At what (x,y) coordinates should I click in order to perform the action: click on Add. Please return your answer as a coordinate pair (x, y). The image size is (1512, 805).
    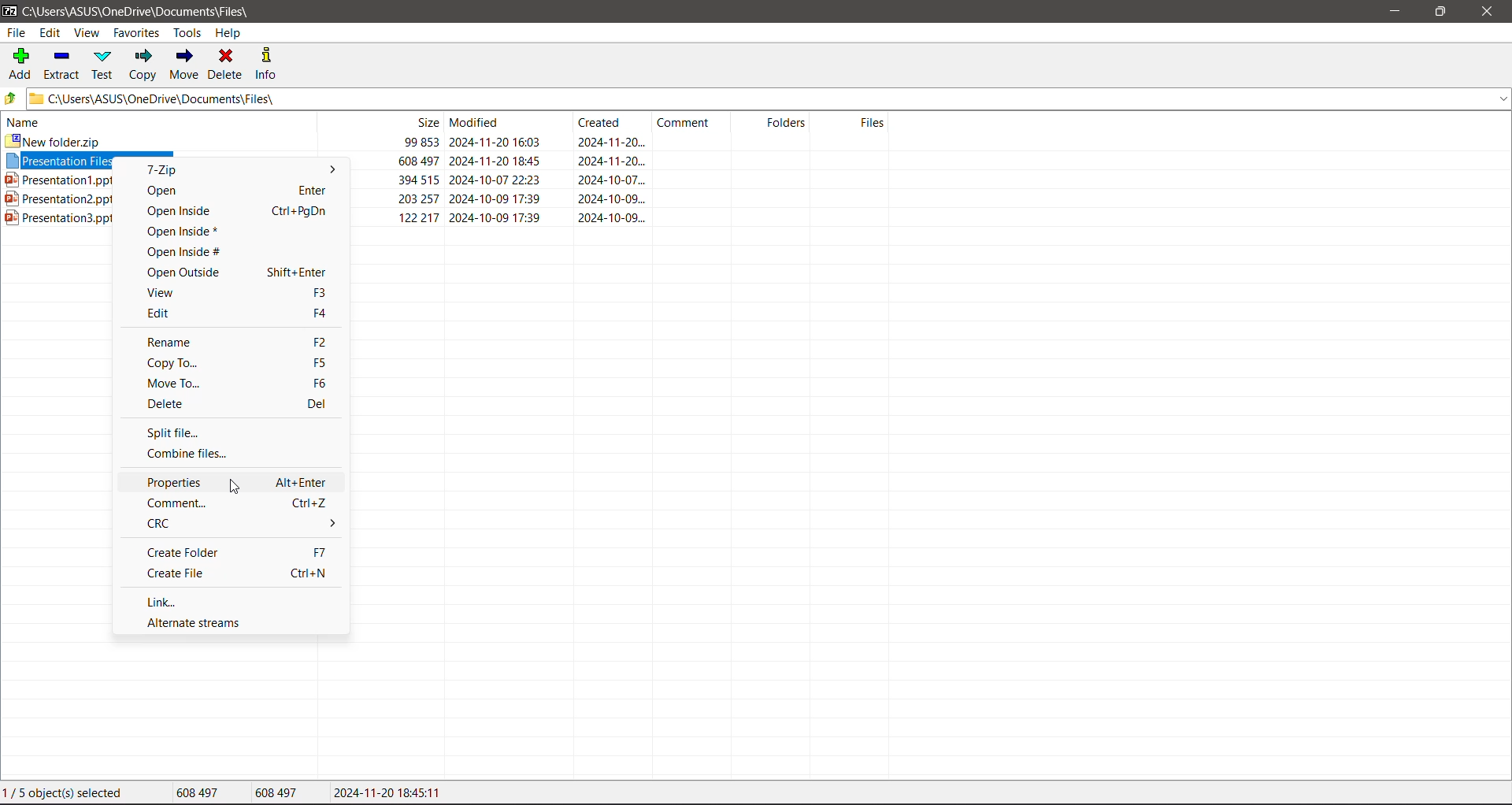
    Looking at the image, I should click on (18, 63).